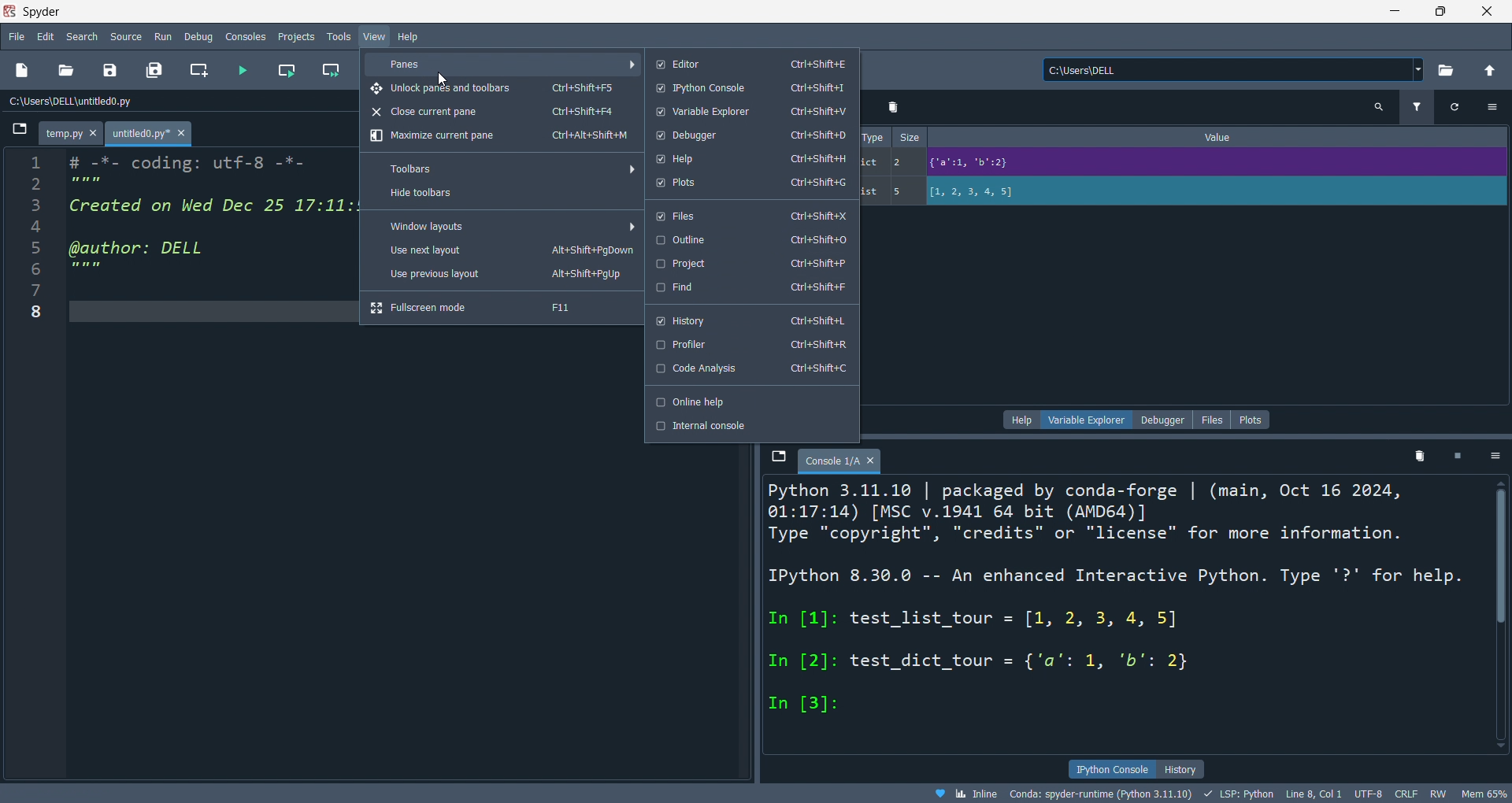 The width and height of the screenshot is (1512, 803). Describe the element at coordinates (753, 239) in the screenshot. I see `outline` at that location.